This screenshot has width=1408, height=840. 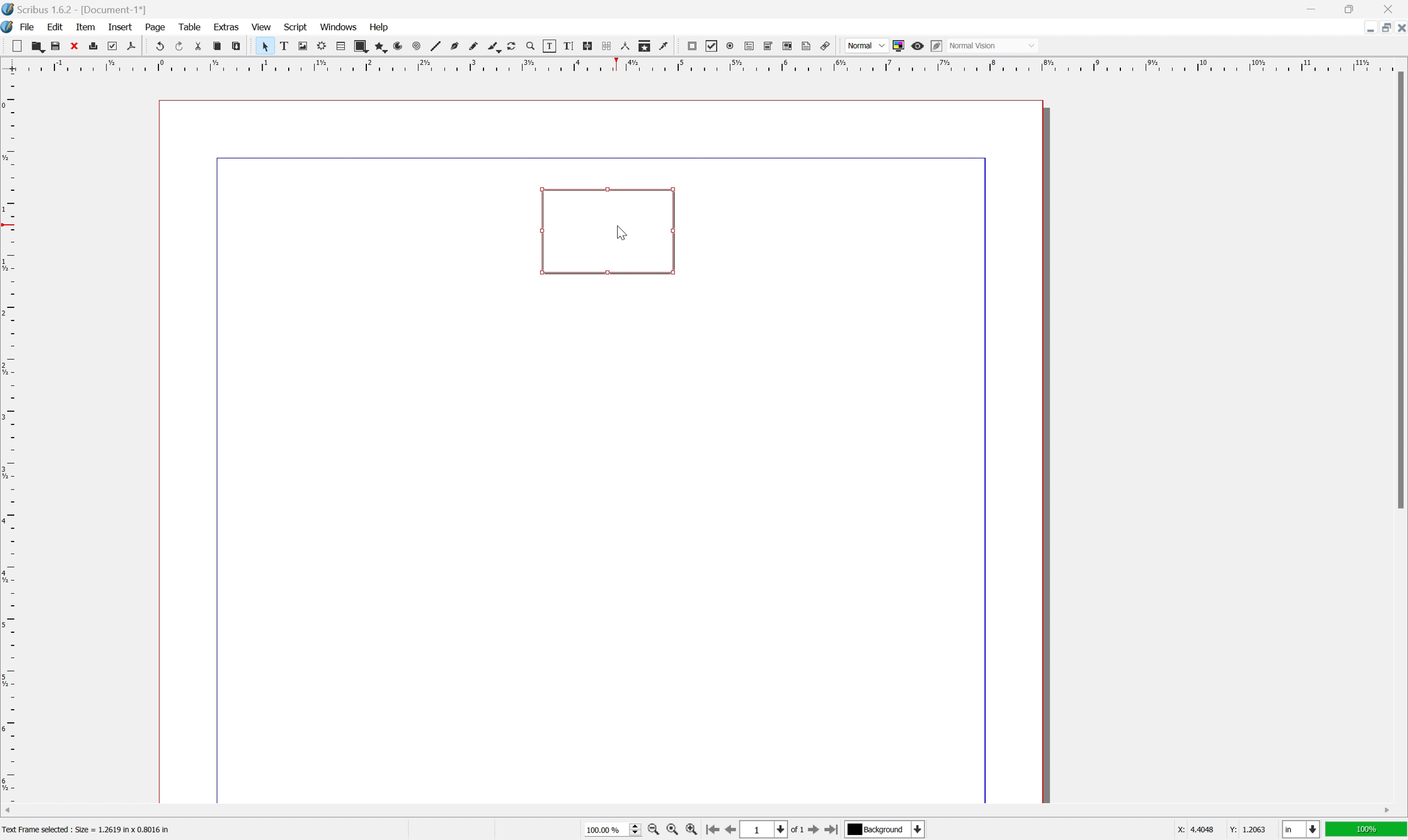 I want to click on redo, so click(x=181, y=46).